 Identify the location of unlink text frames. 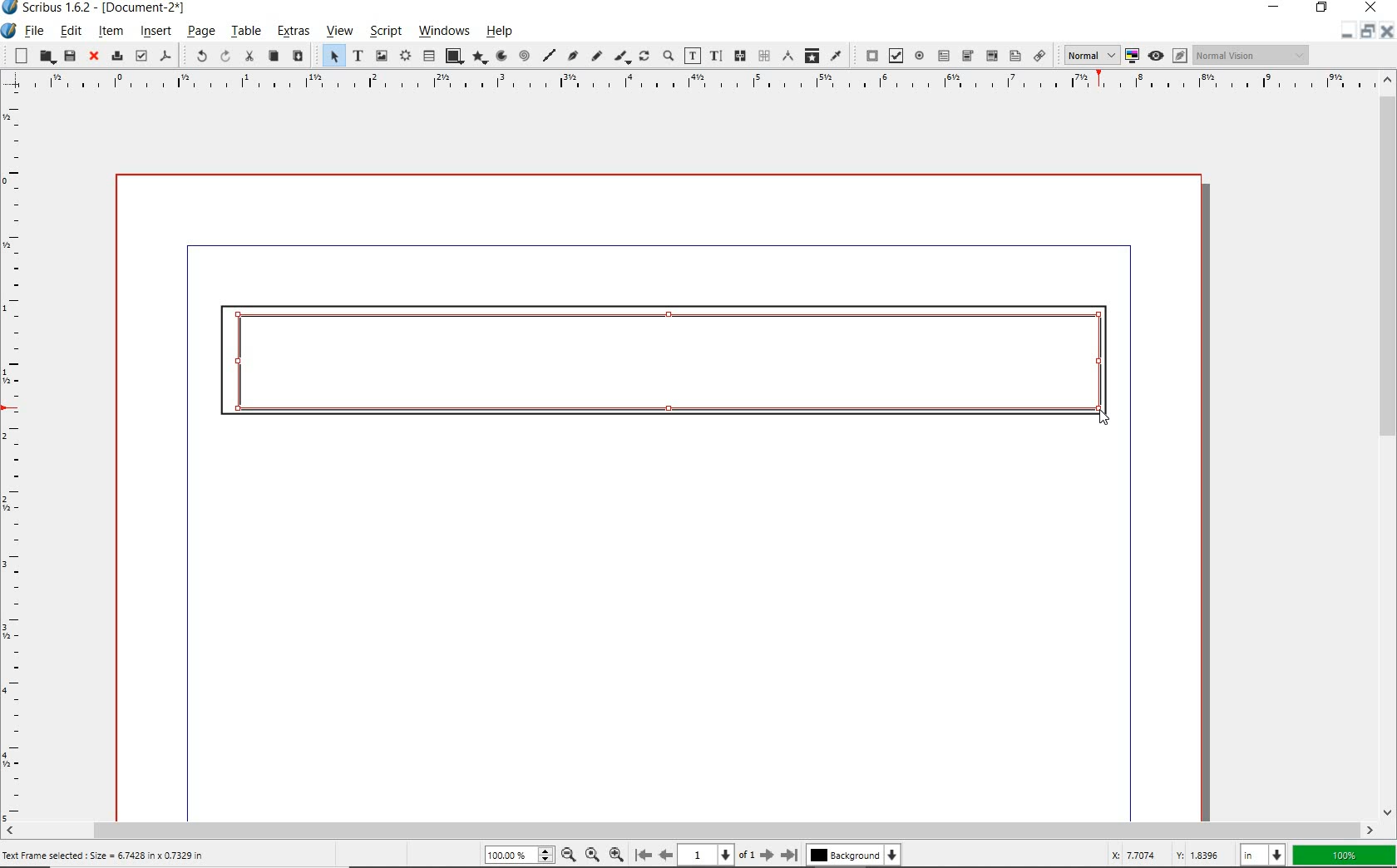
(738, 57).